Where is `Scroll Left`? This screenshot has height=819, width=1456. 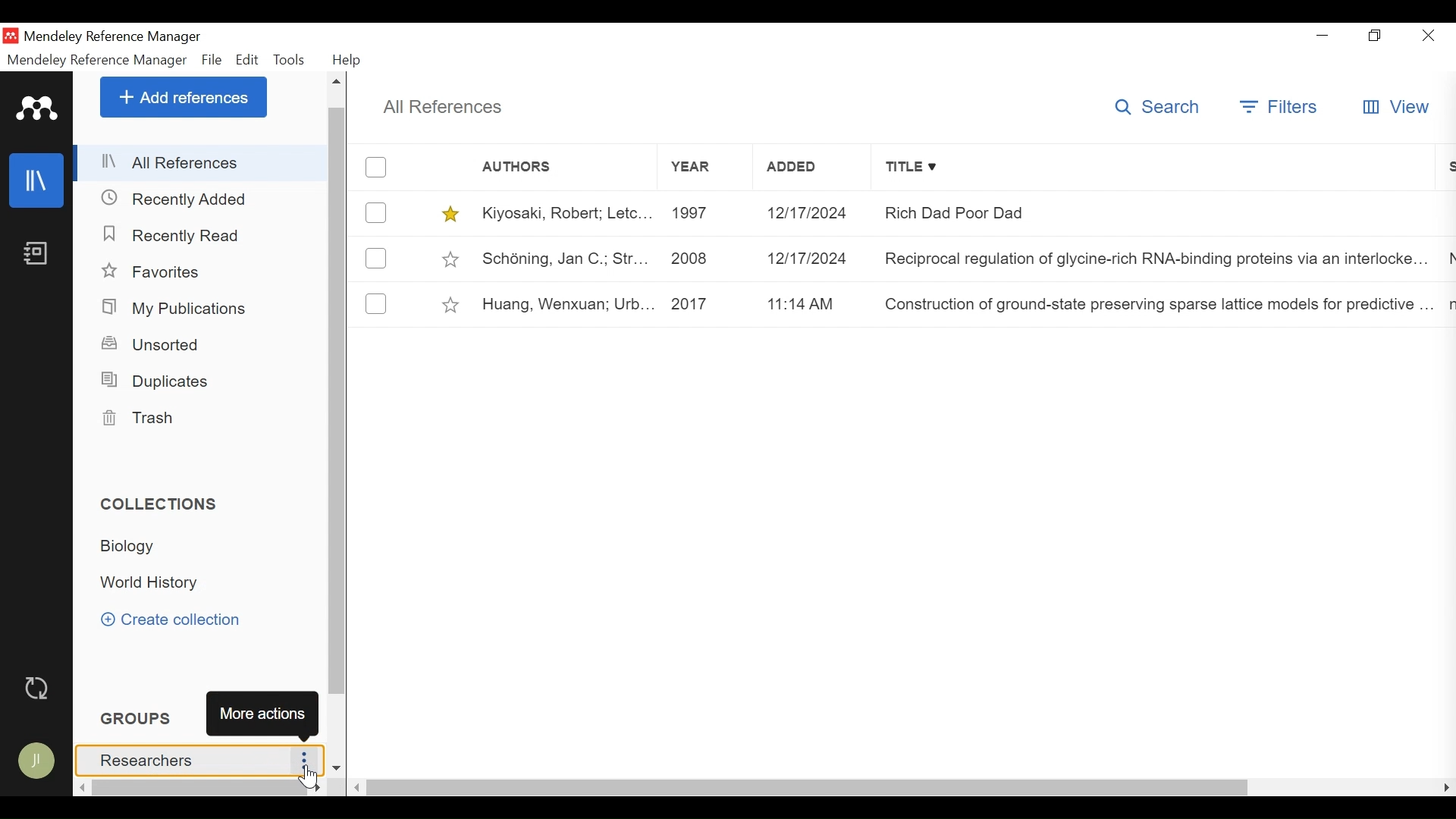 Scroll Left is located at coordinates (1447, 788).